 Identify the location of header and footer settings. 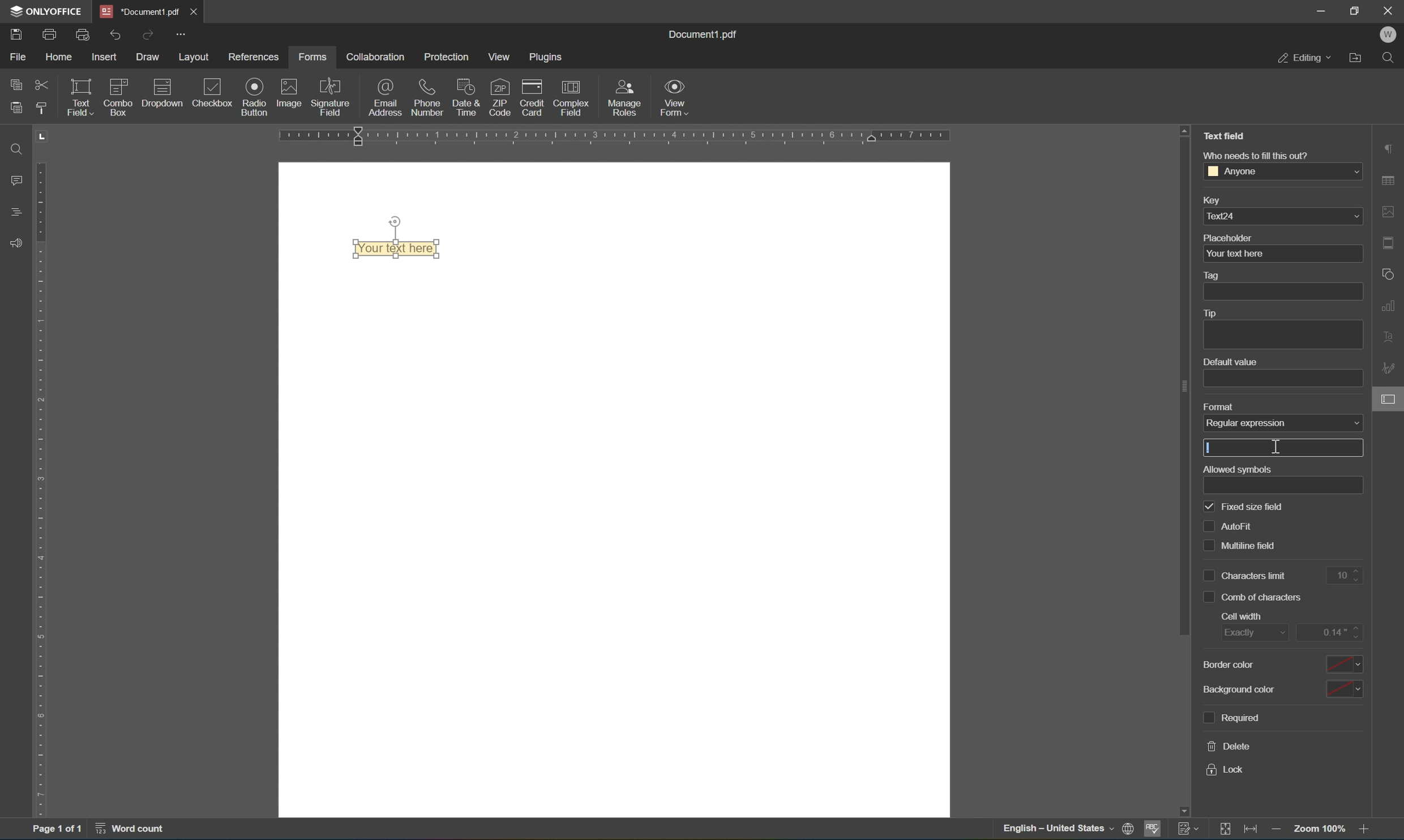
(1392, 242).